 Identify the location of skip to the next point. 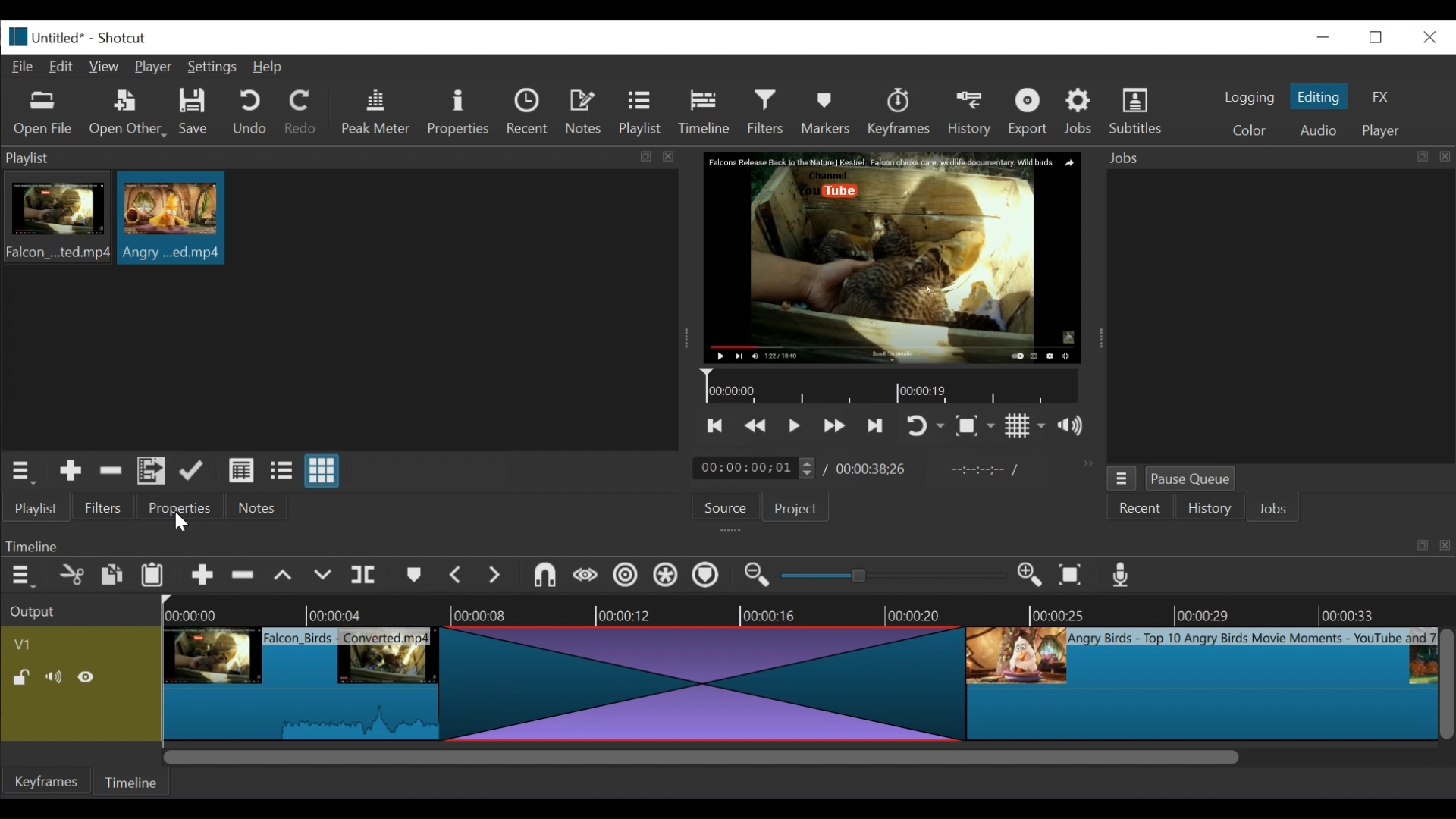
(877, 425).